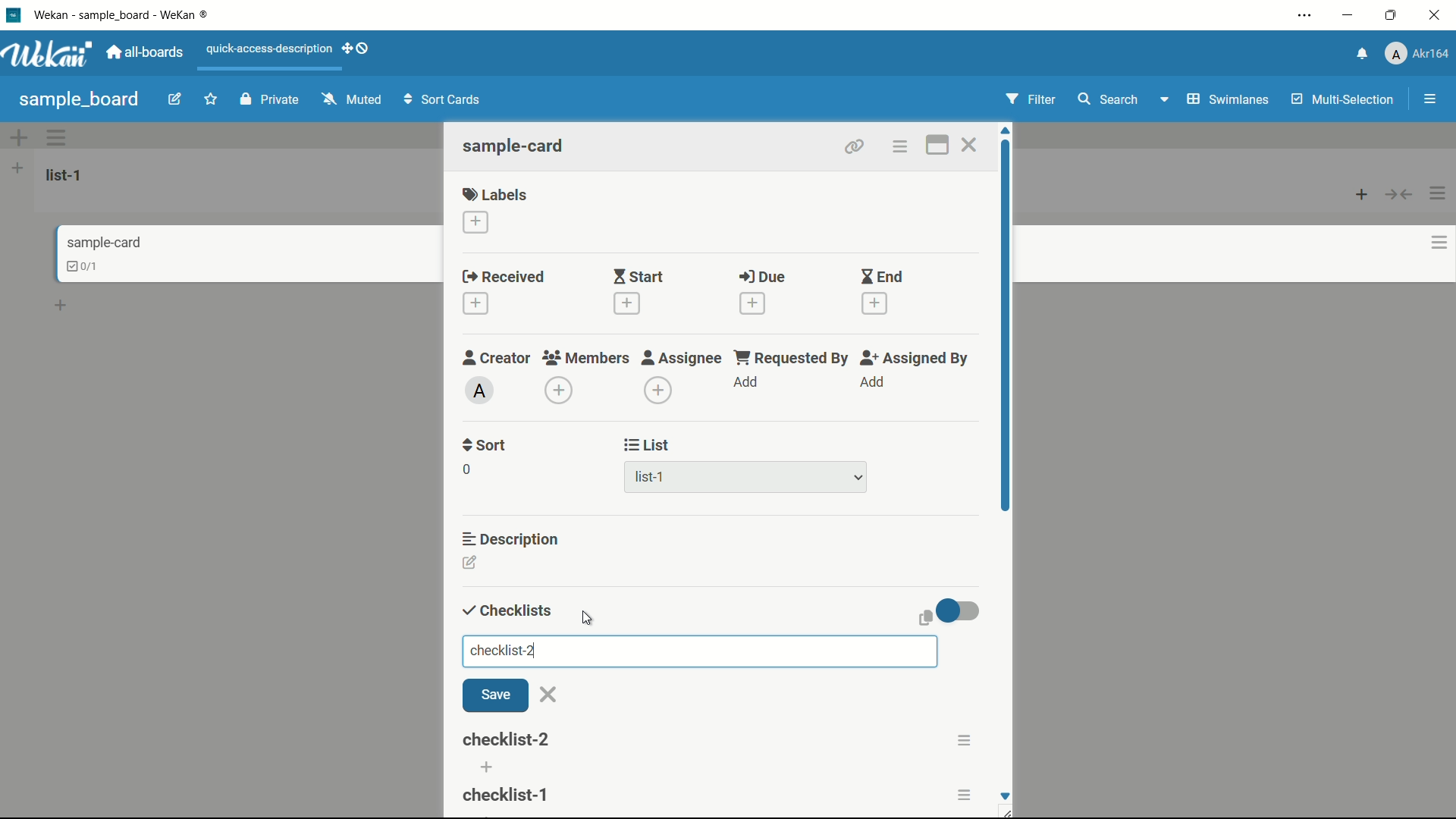  What do you see at coordinates (515, 146) in the screenshot?
I see `card name` at bounding box center [515, 146].